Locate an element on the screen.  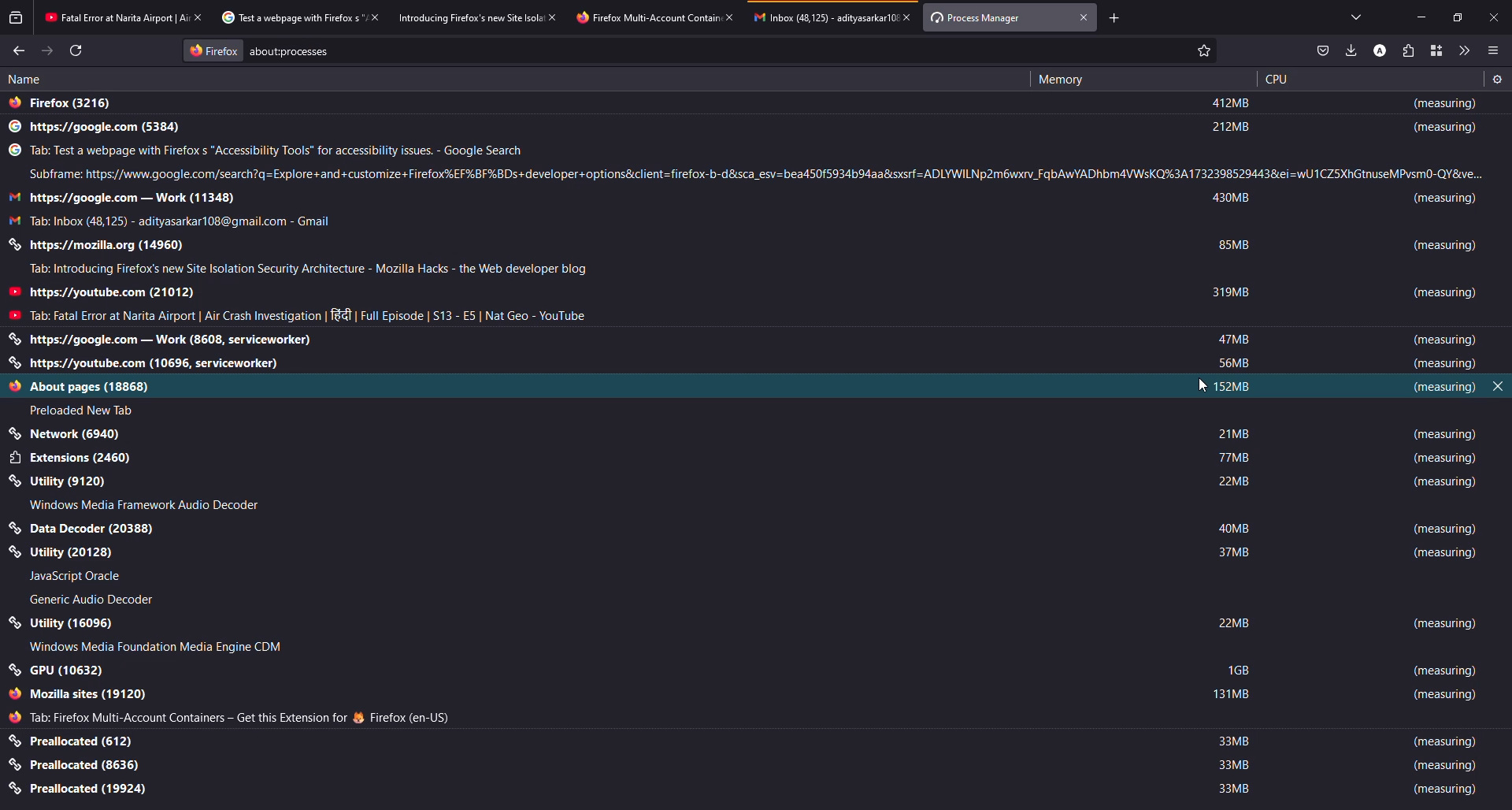
56 mb is located at coordinates (1232, 364).